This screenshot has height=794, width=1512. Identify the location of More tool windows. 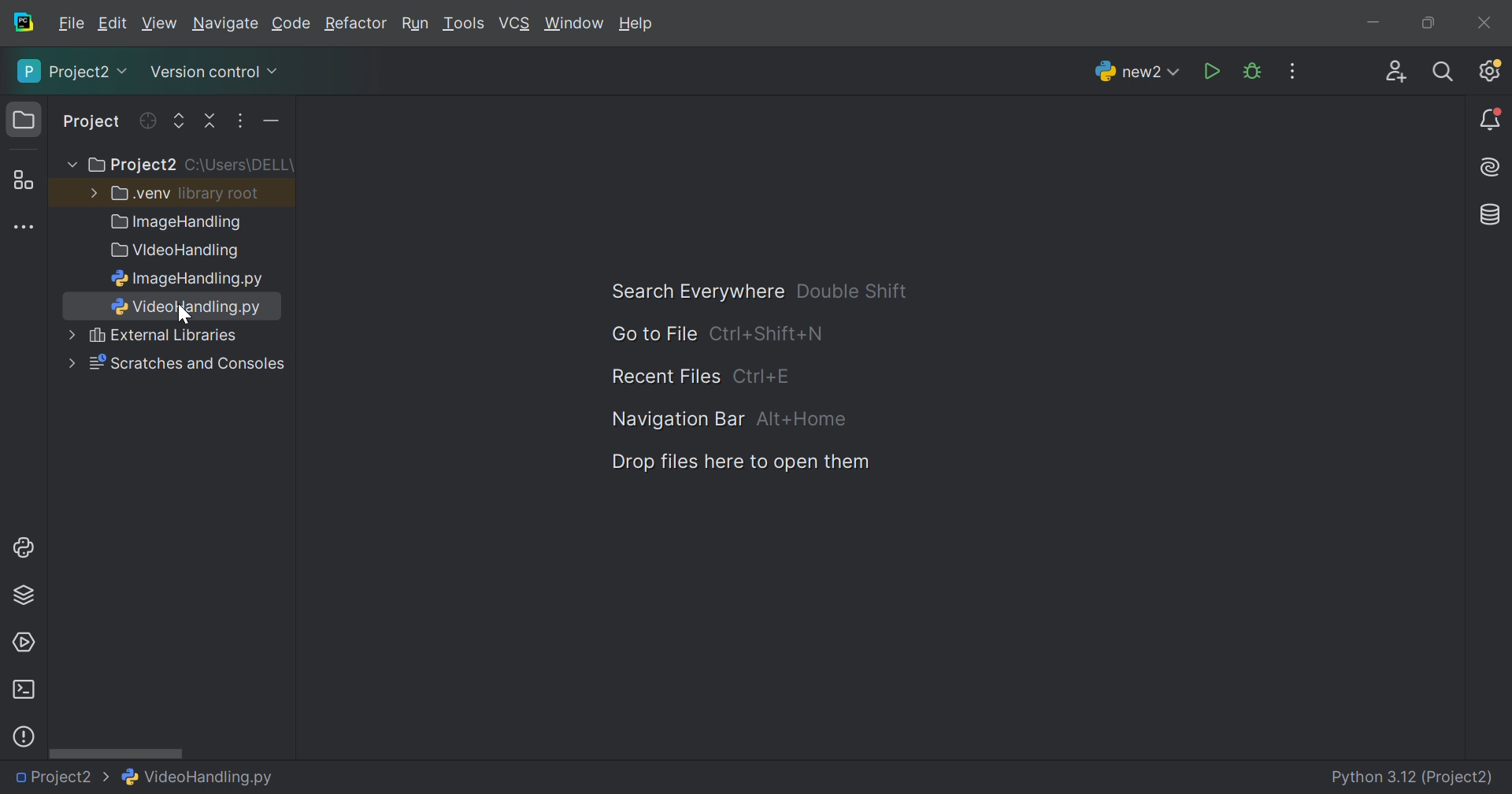
(26, 228).